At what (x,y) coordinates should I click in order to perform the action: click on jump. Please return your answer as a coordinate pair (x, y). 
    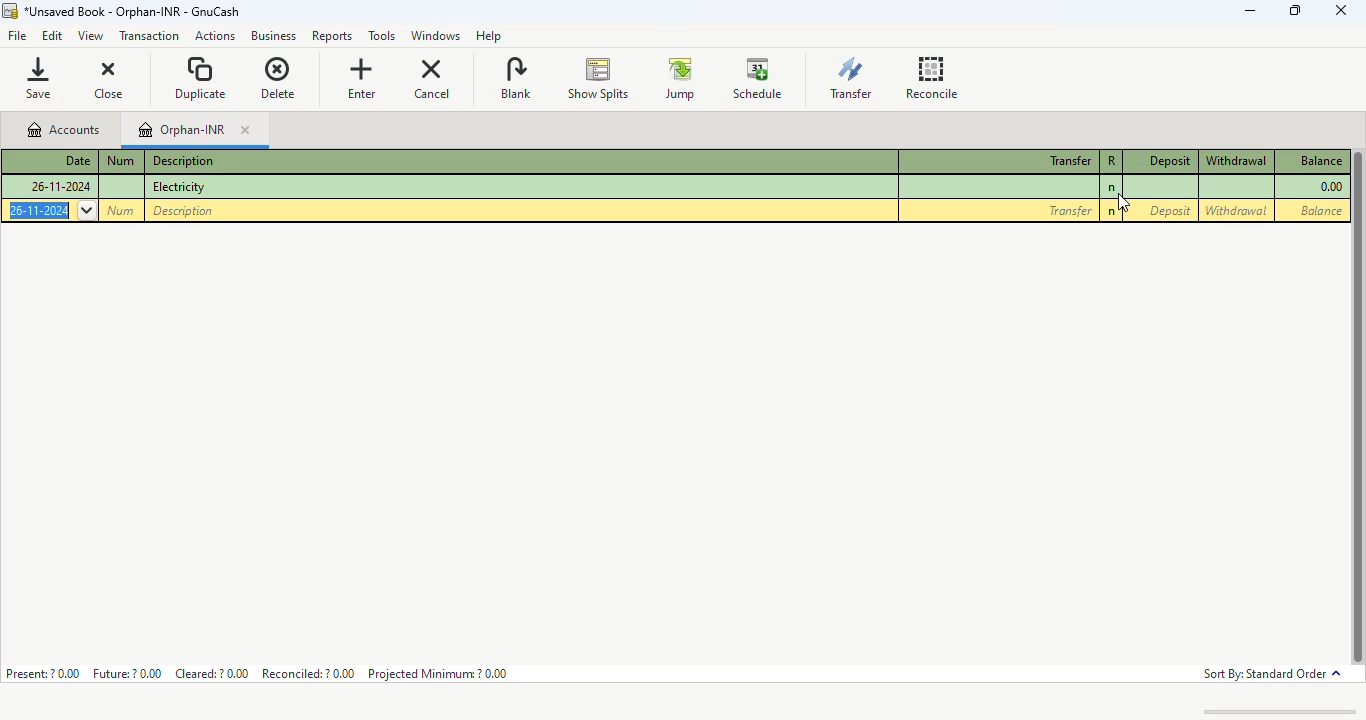
    Looking at the image, I should click on (681, 79).